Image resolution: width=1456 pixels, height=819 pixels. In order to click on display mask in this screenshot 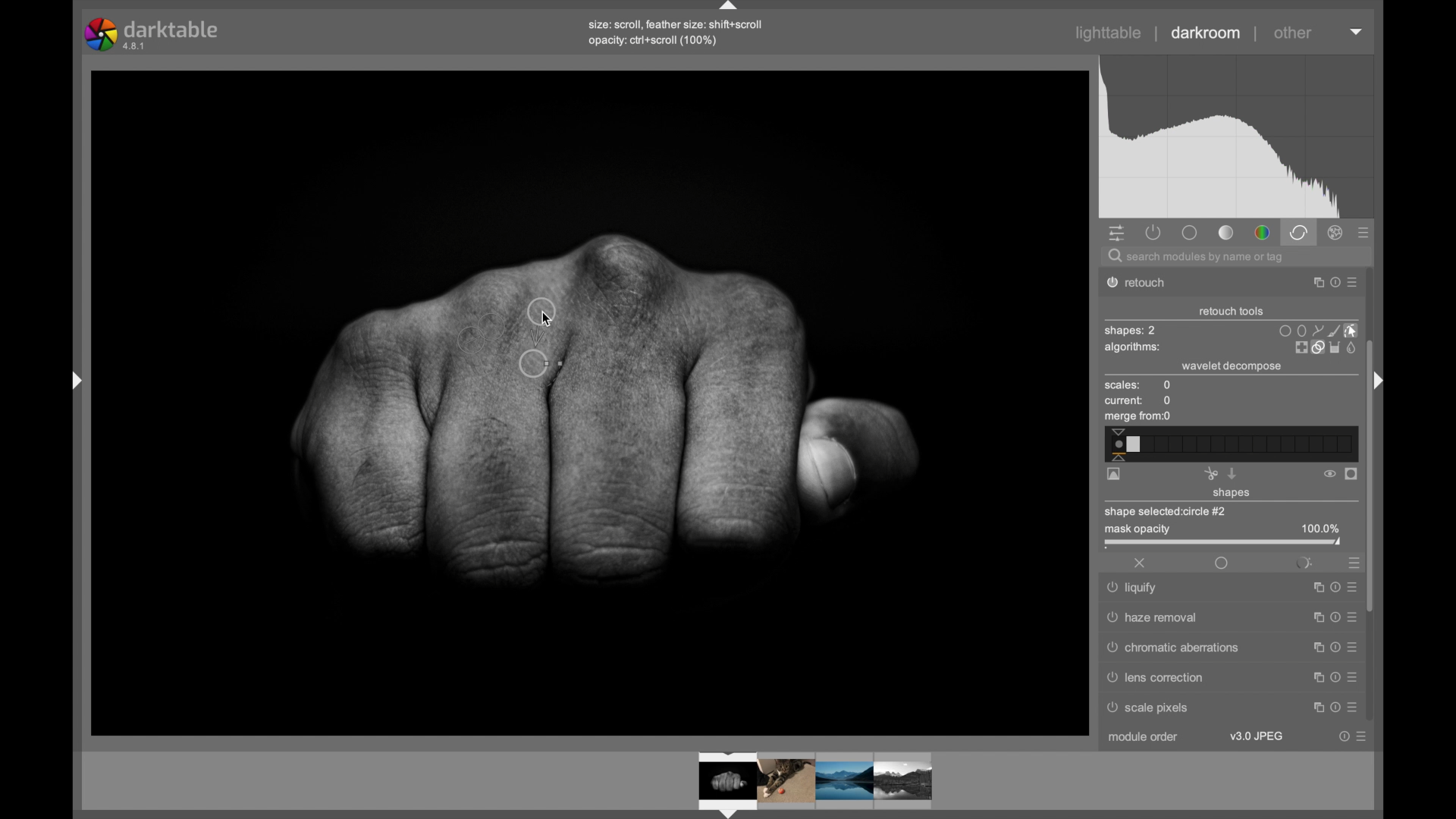, I will do `click(1352, 475)`.